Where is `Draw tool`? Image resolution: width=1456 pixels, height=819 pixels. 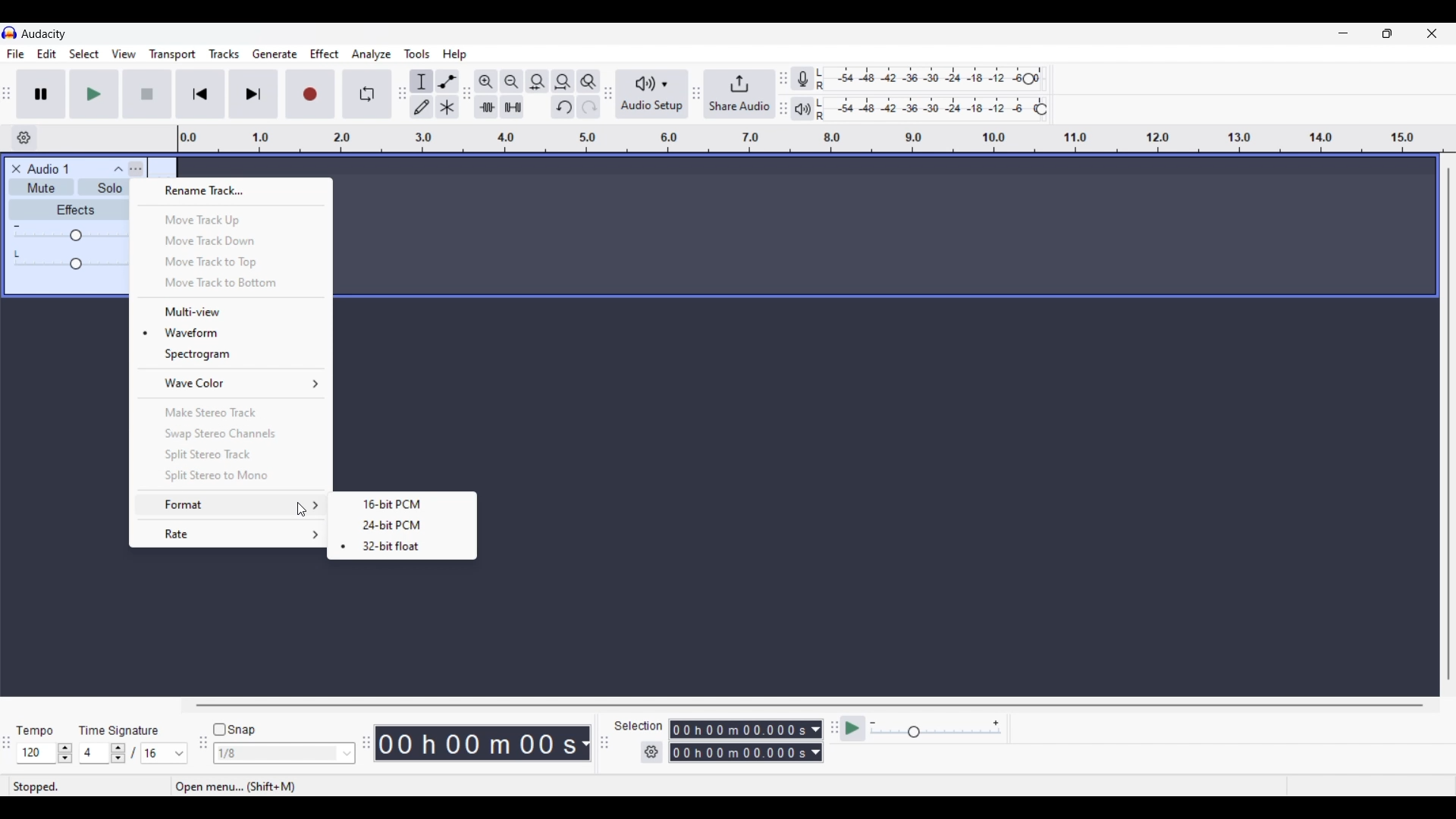
Draw tool is located at coordinates (422, 107).